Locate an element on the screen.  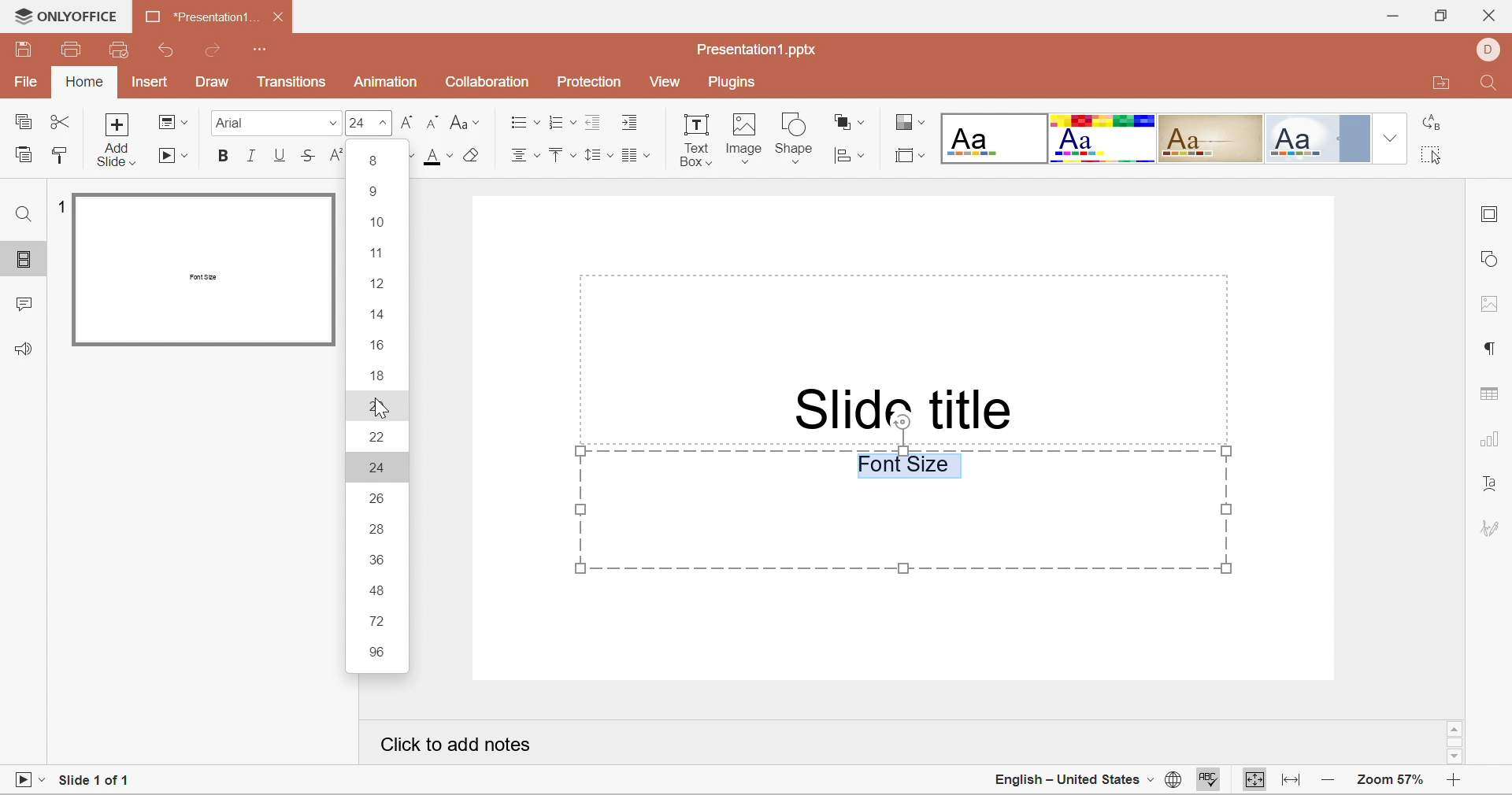
Blank is located at coordinates (993, 138).